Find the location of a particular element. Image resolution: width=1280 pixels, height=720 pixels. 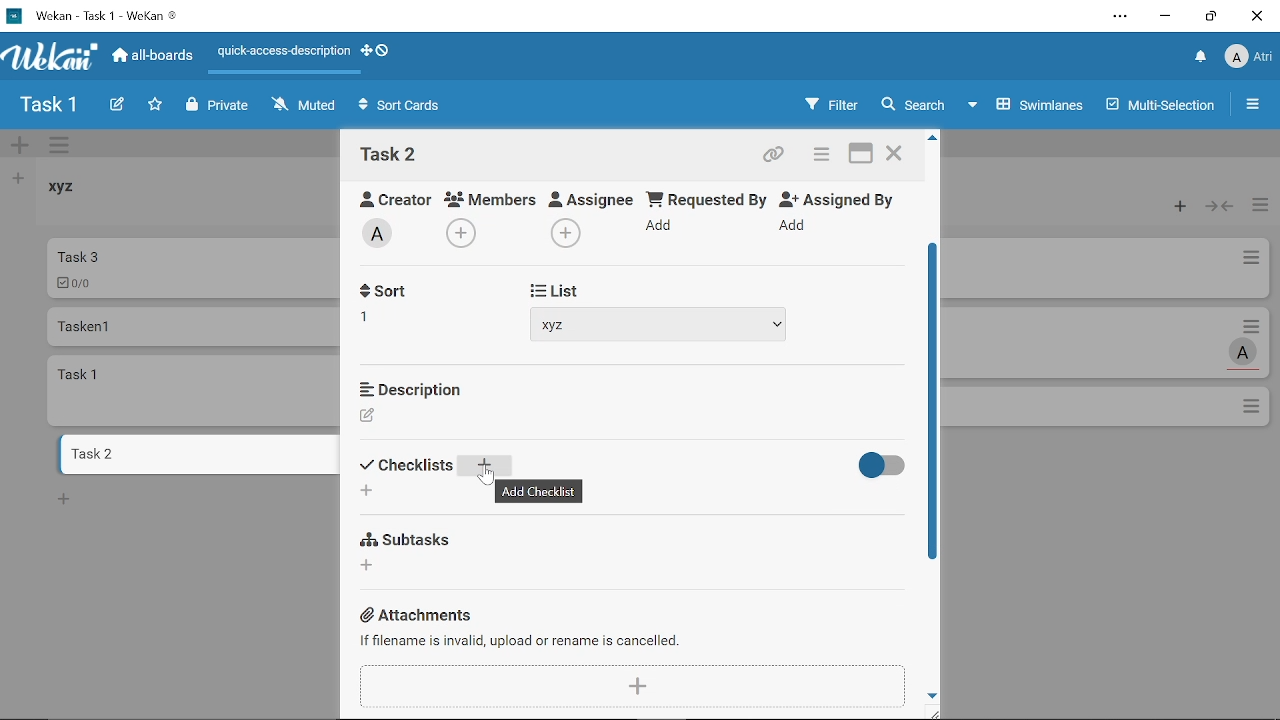

Options is located at coordinates (1253, 408).